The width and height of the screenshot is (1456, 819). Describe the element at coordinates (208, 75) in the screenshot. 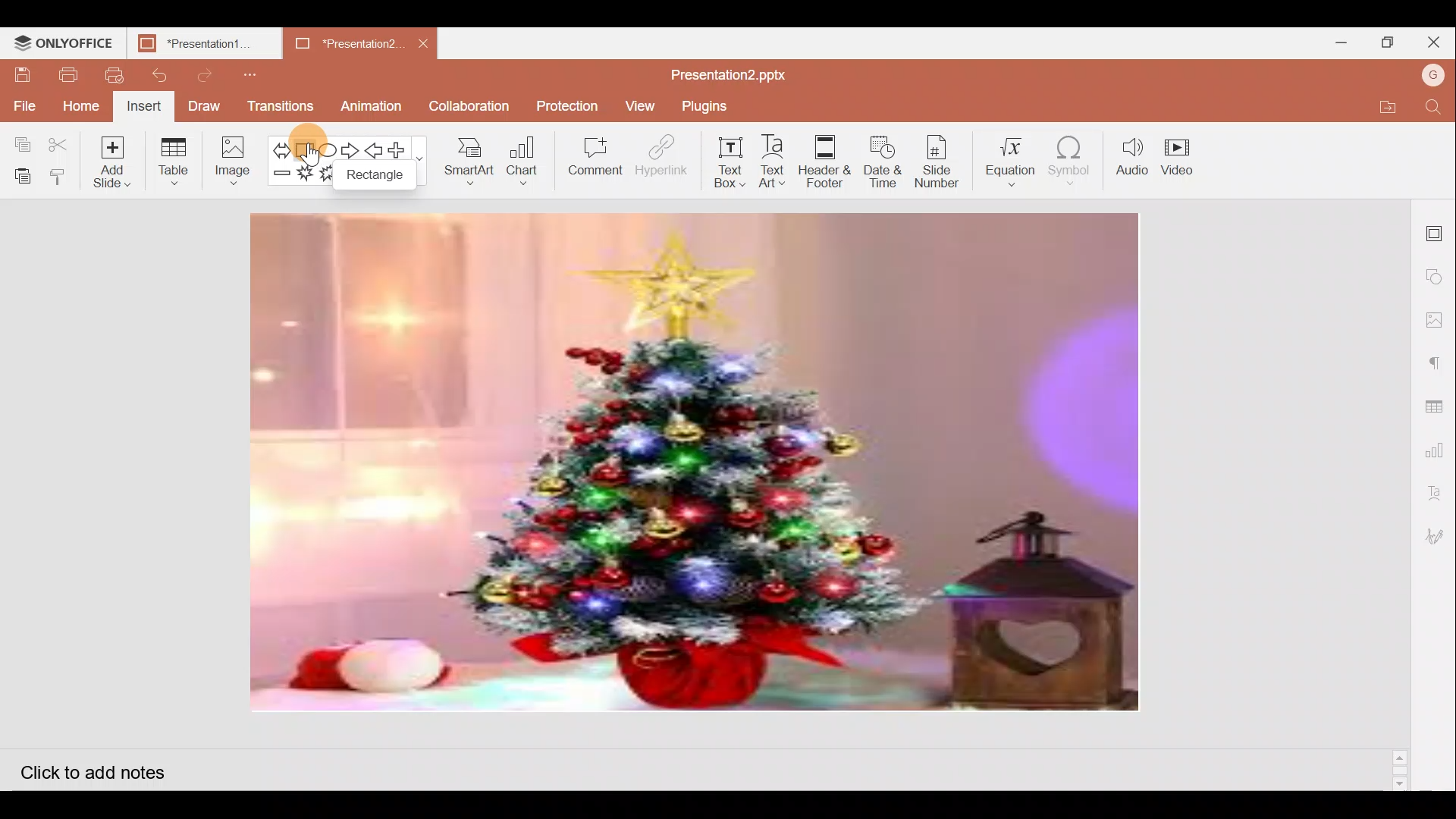

I see `Redo` at that location.